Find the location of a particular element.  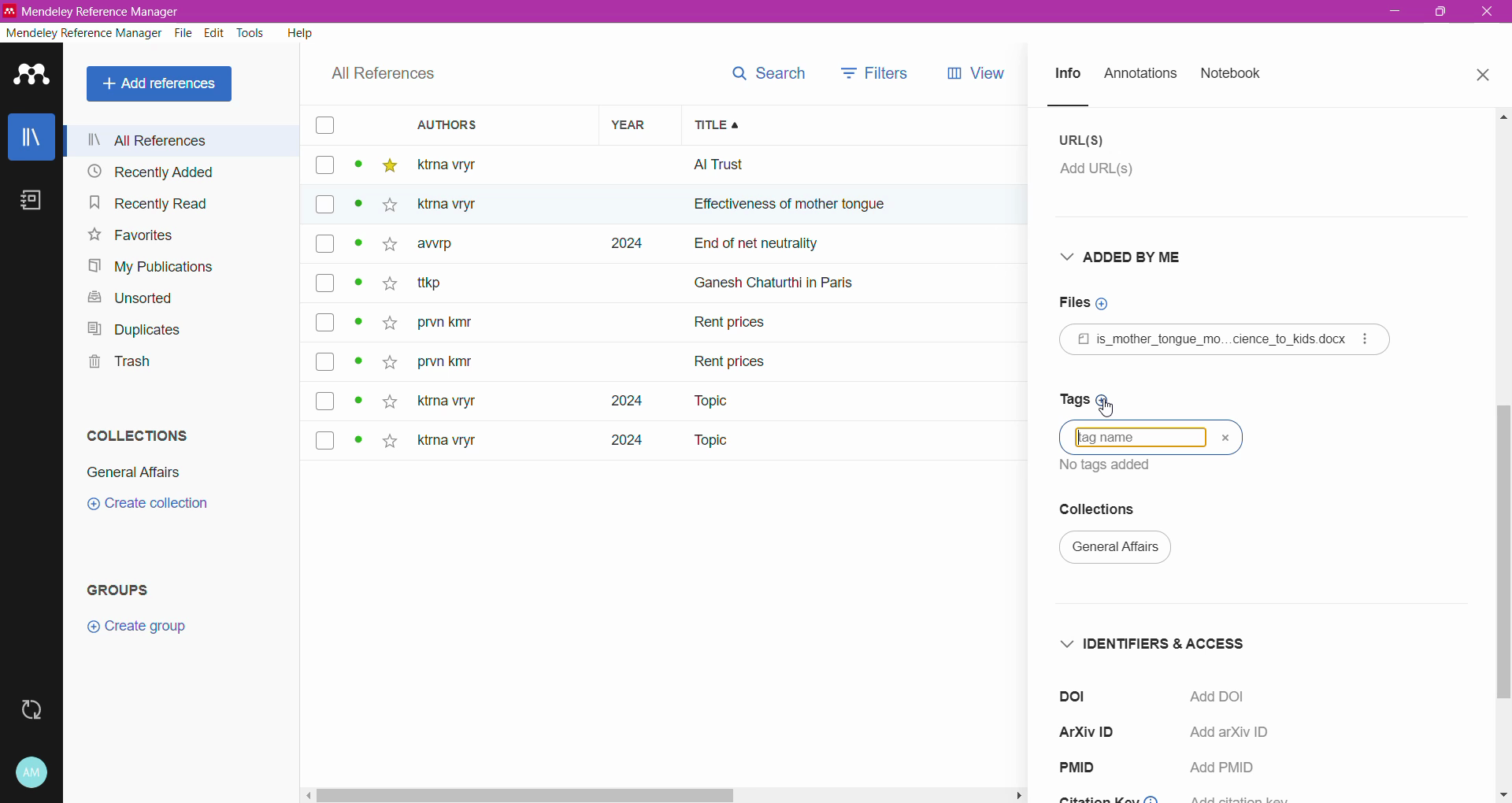

views  is located at coordinates (987, 73).